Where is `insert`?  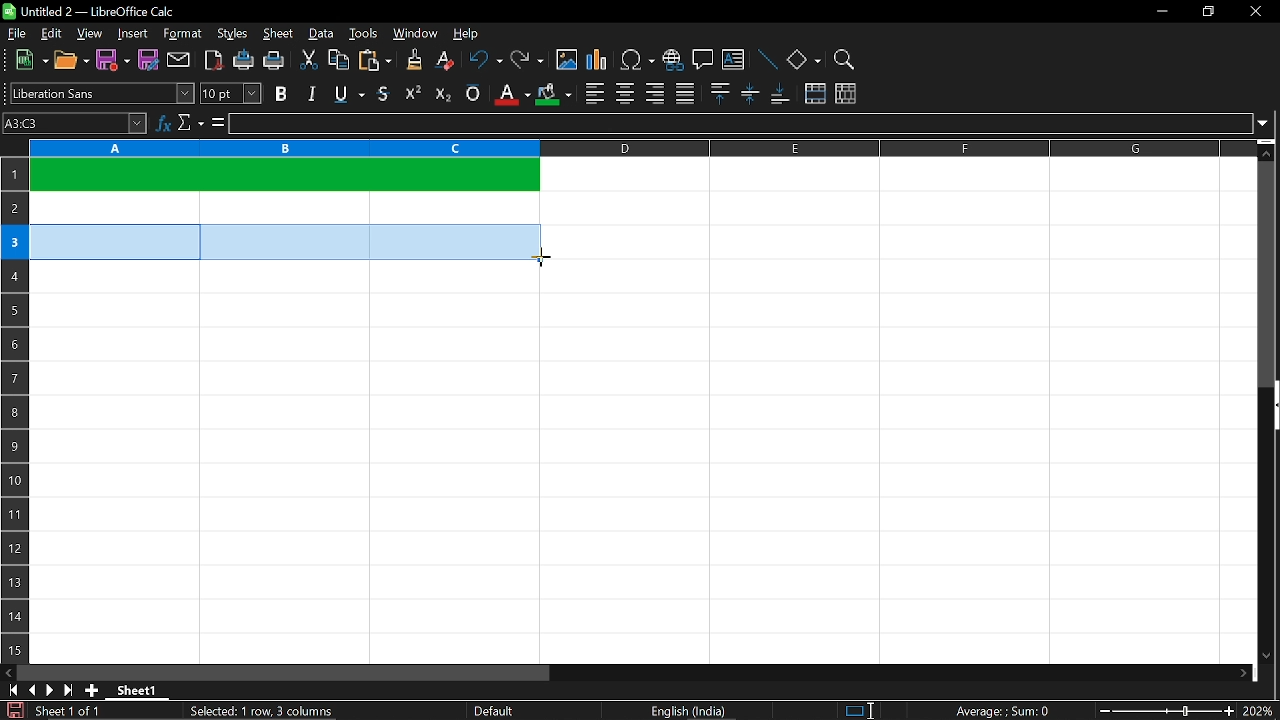
insert is located at coordinates (133, 34).